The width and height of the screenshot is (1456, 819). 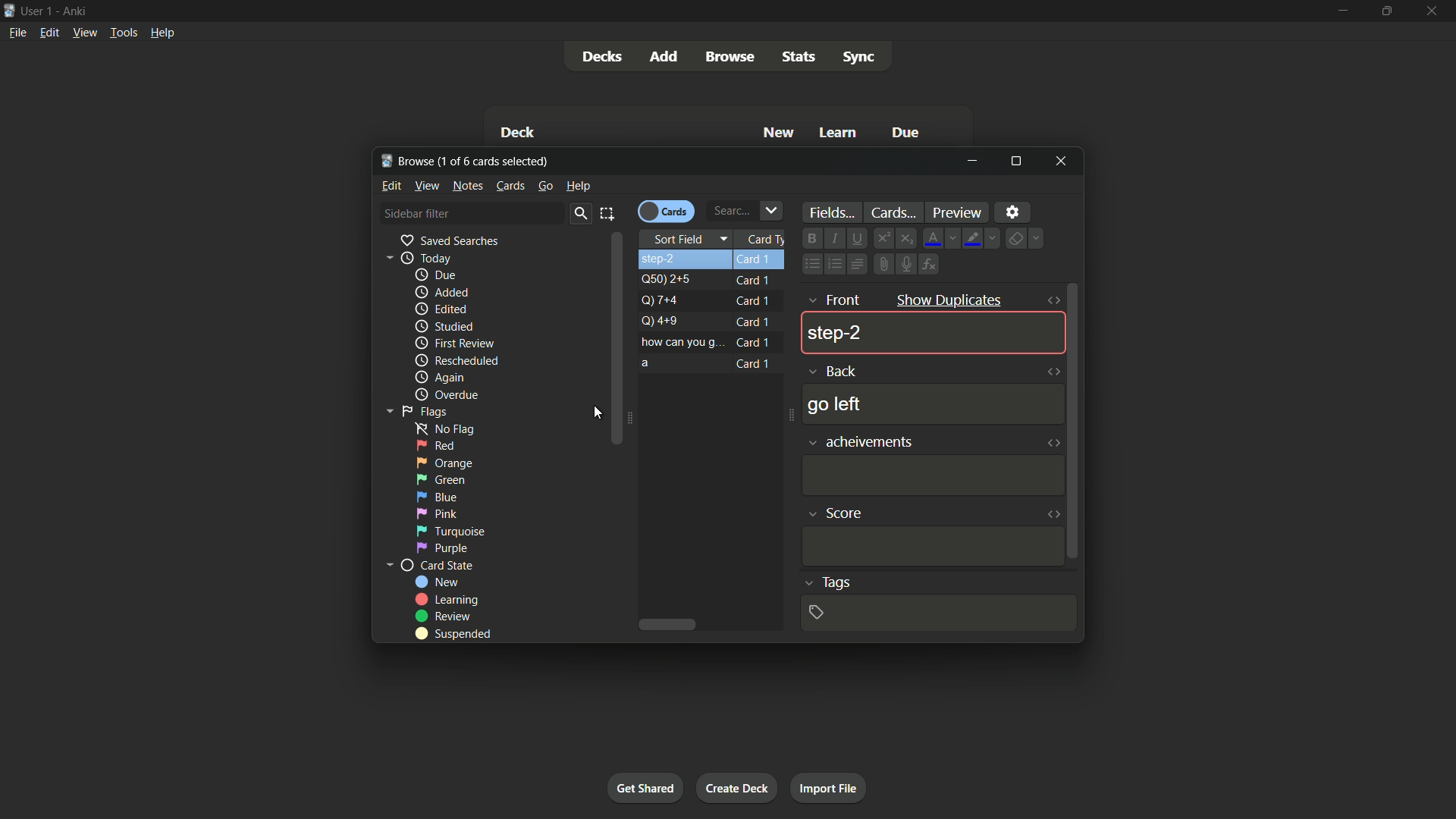 I want to click on Font color, so click(x=941, y=237).